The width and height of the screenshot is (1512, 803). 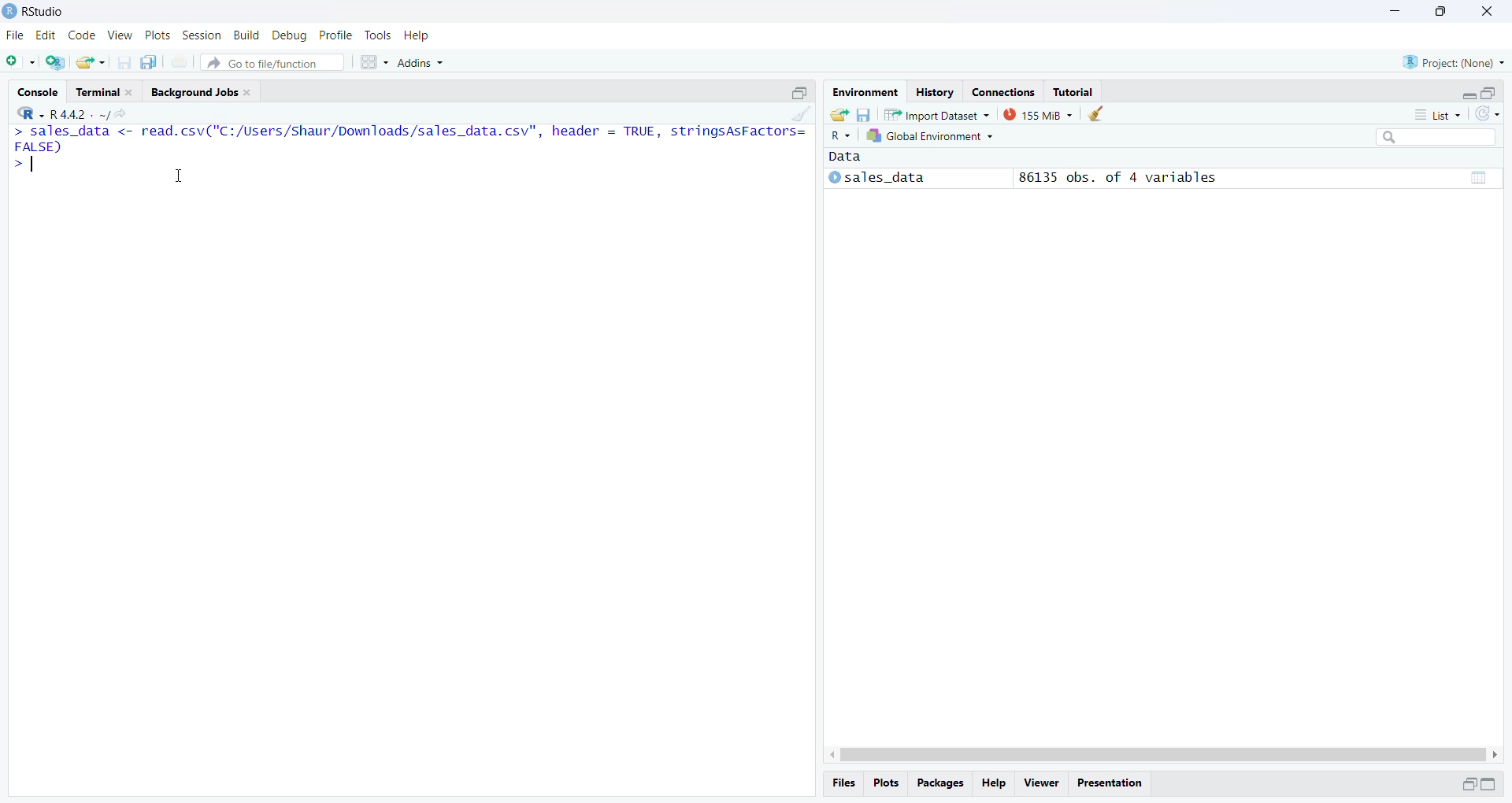 I want to click on Project (Name), so click(x=1455, y=64).